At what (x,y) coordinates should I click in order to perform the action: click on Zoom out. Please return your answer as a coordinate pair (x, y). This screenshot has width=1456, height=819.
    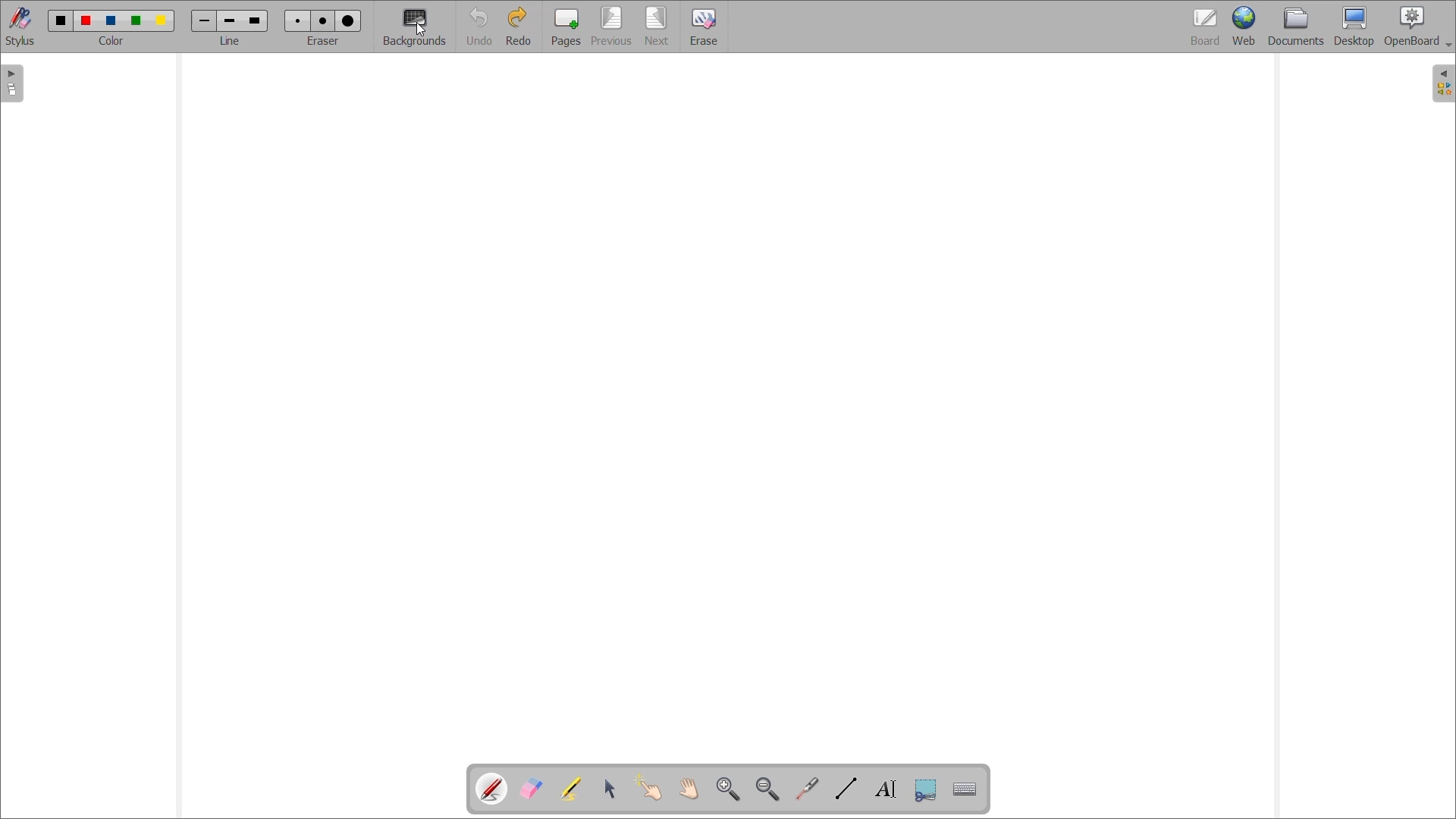
    Looking at the image, I should click on (767, 789).